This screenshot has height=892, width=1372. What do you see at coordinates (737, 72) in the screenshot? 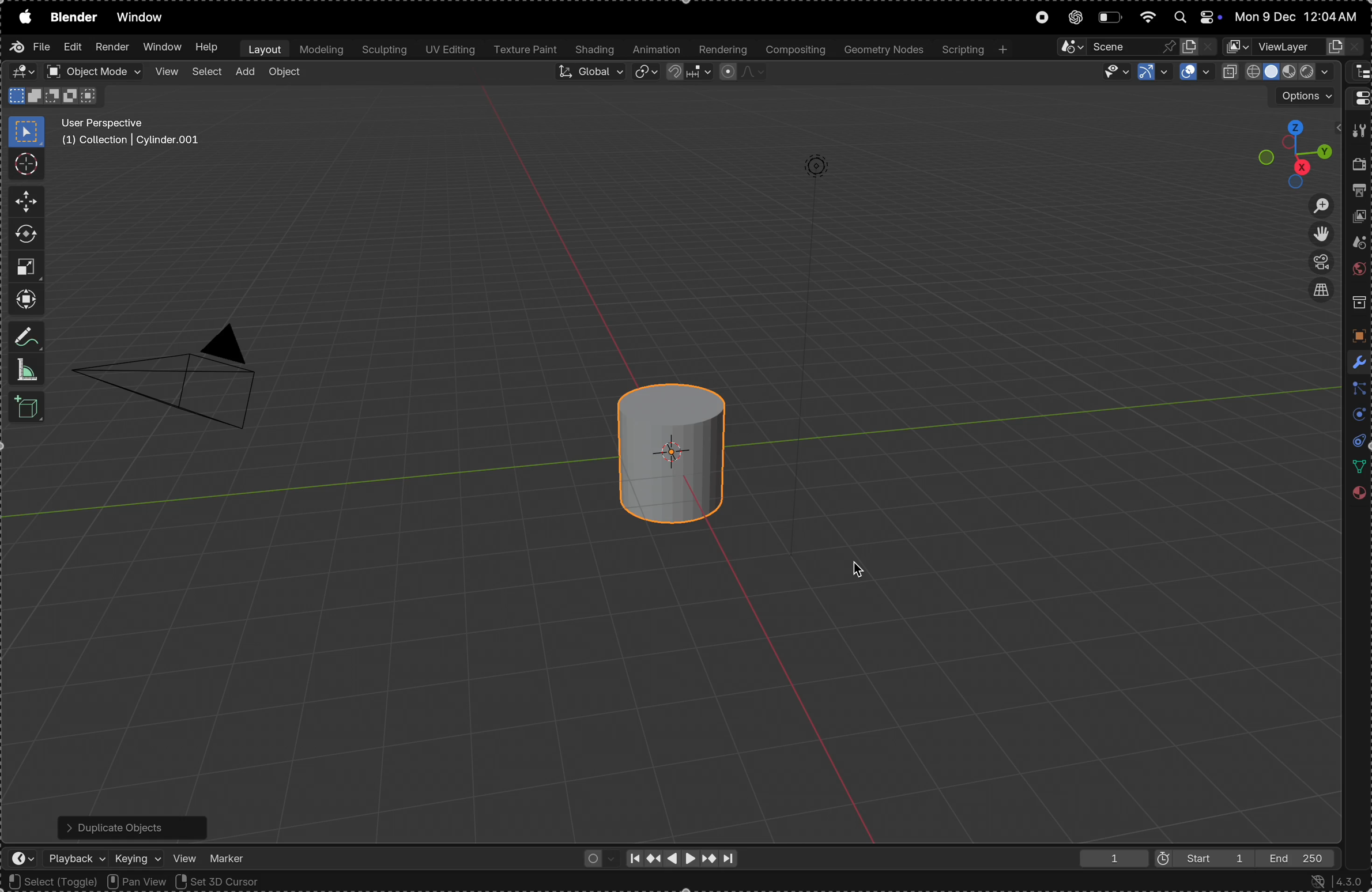
I see `proportinall falling objects` at bounding box center [737, 72].